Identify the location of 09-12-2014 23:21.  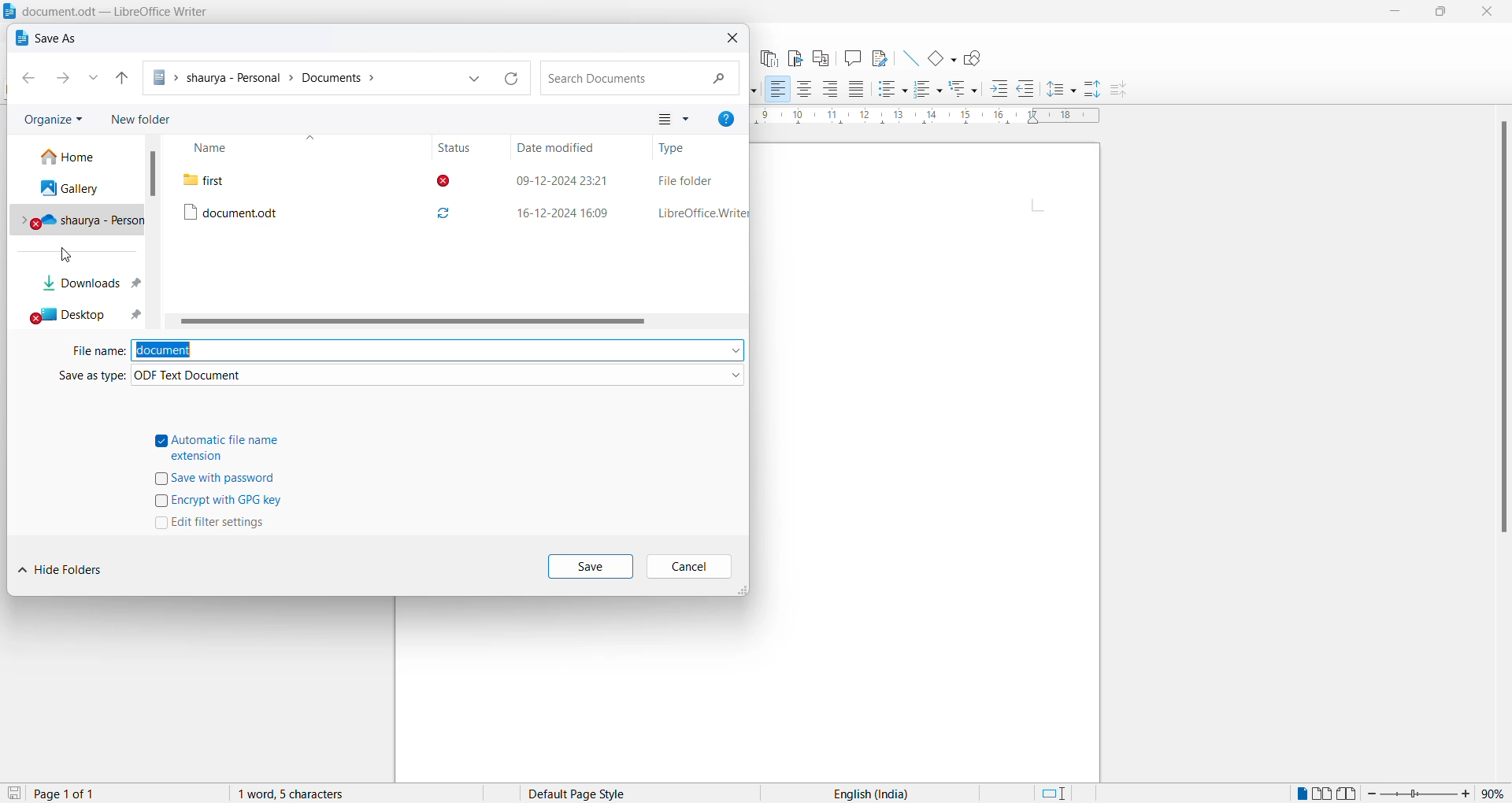
(560, 178).